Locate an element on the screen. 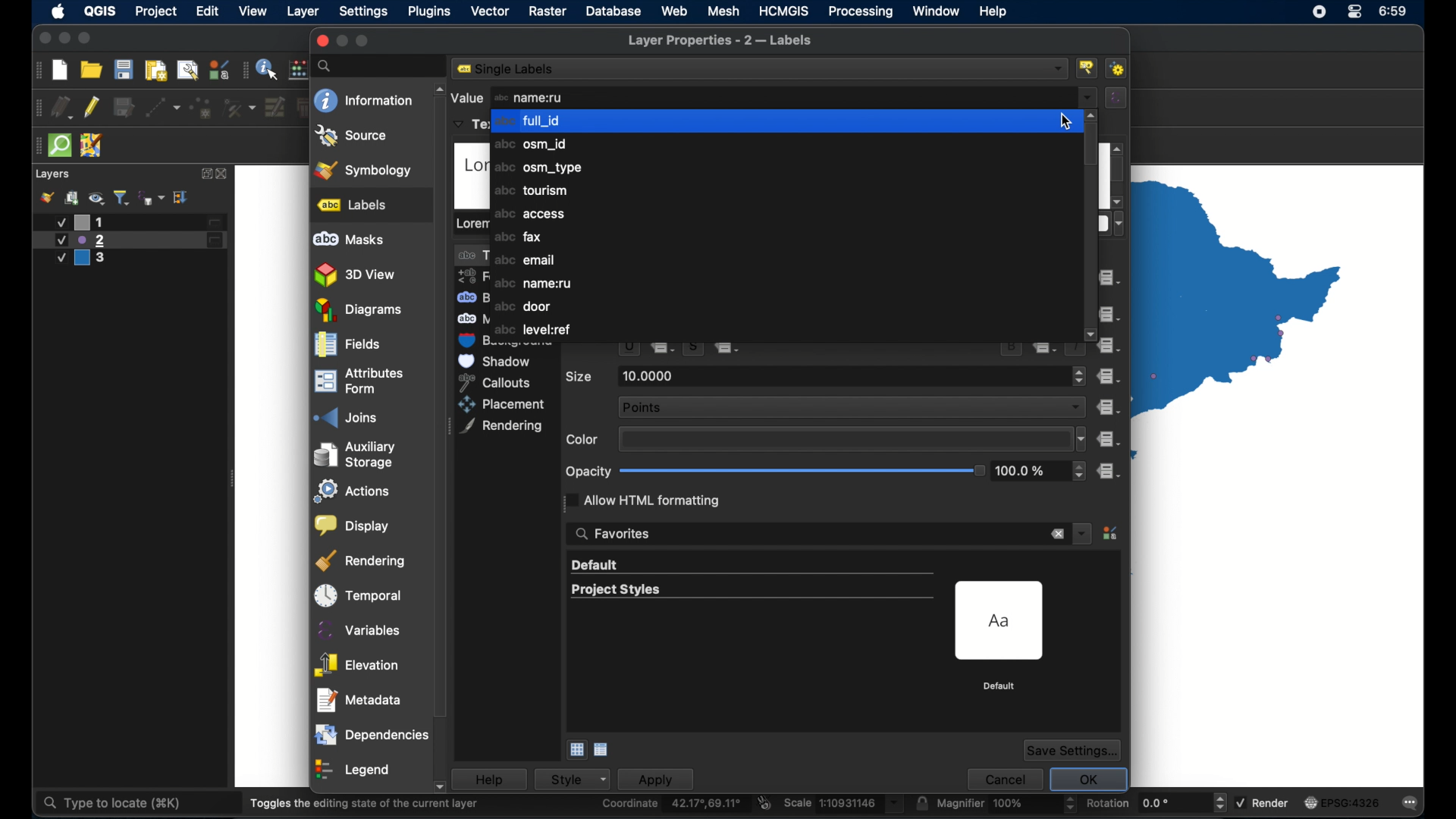 The image size is (1456, 819). project is located at coordinates (155, 11).